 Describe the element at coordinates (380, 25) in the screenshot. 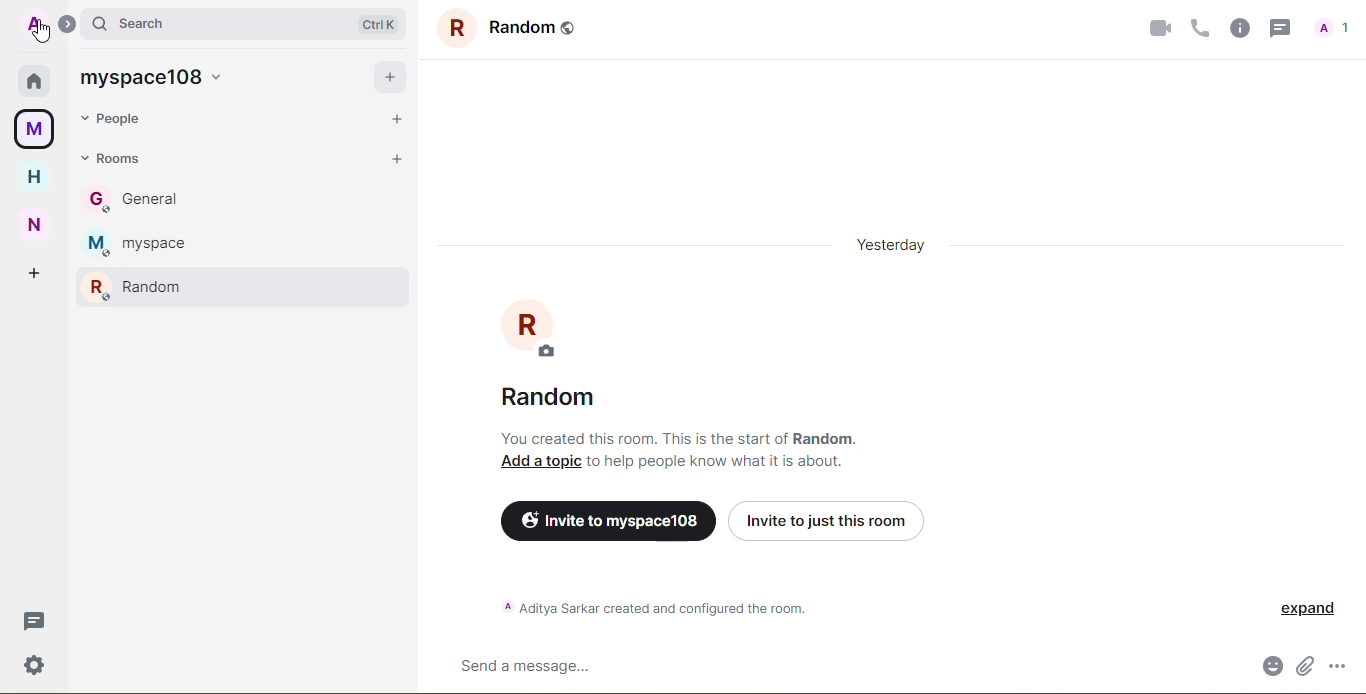

I see `ctrlk` at that location.